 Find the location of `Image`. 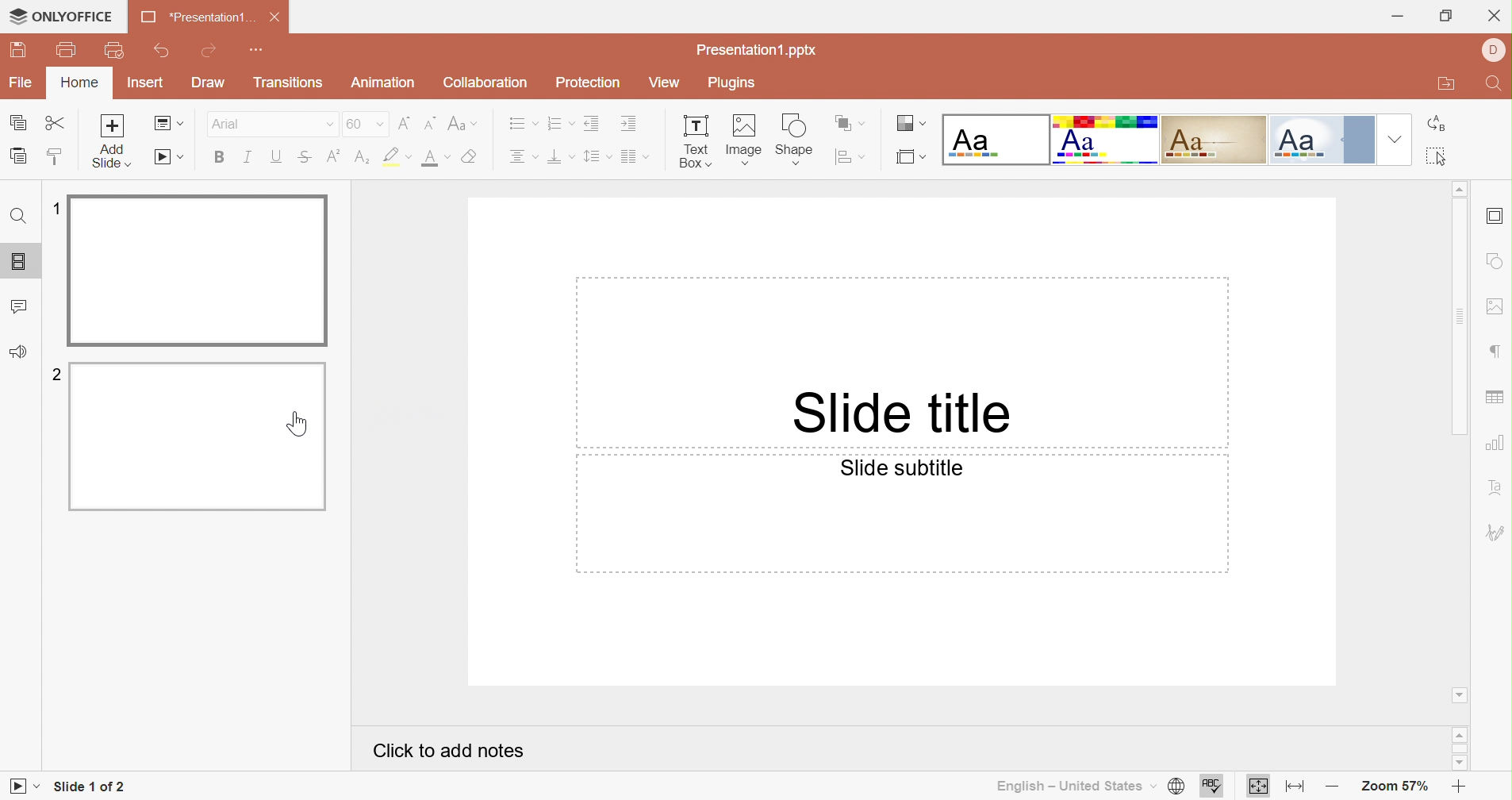

Image is located at coordinates (746, 138).